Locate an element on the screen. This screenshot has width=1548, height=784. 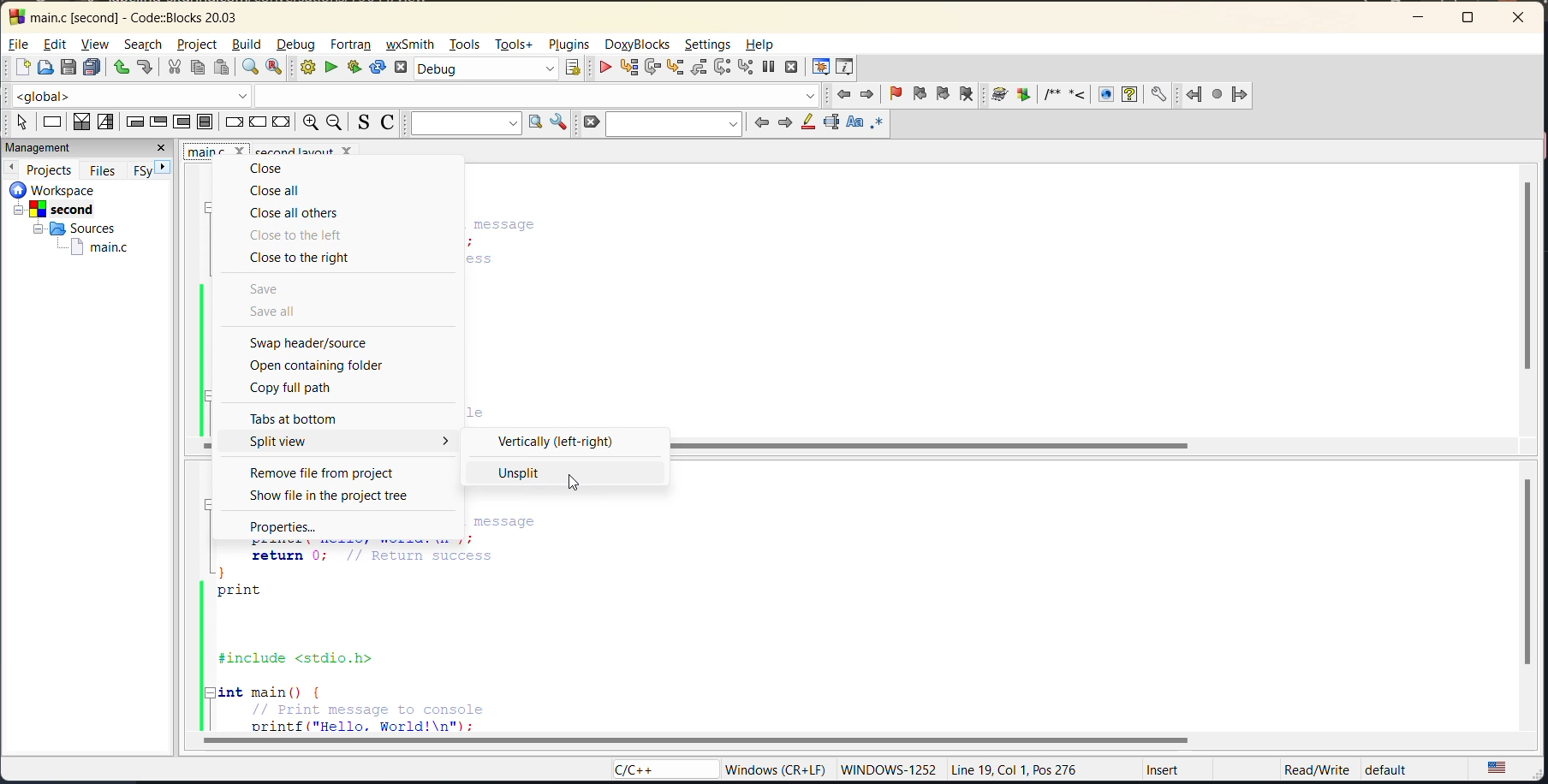
plugins is located at coordinates (571, 43).